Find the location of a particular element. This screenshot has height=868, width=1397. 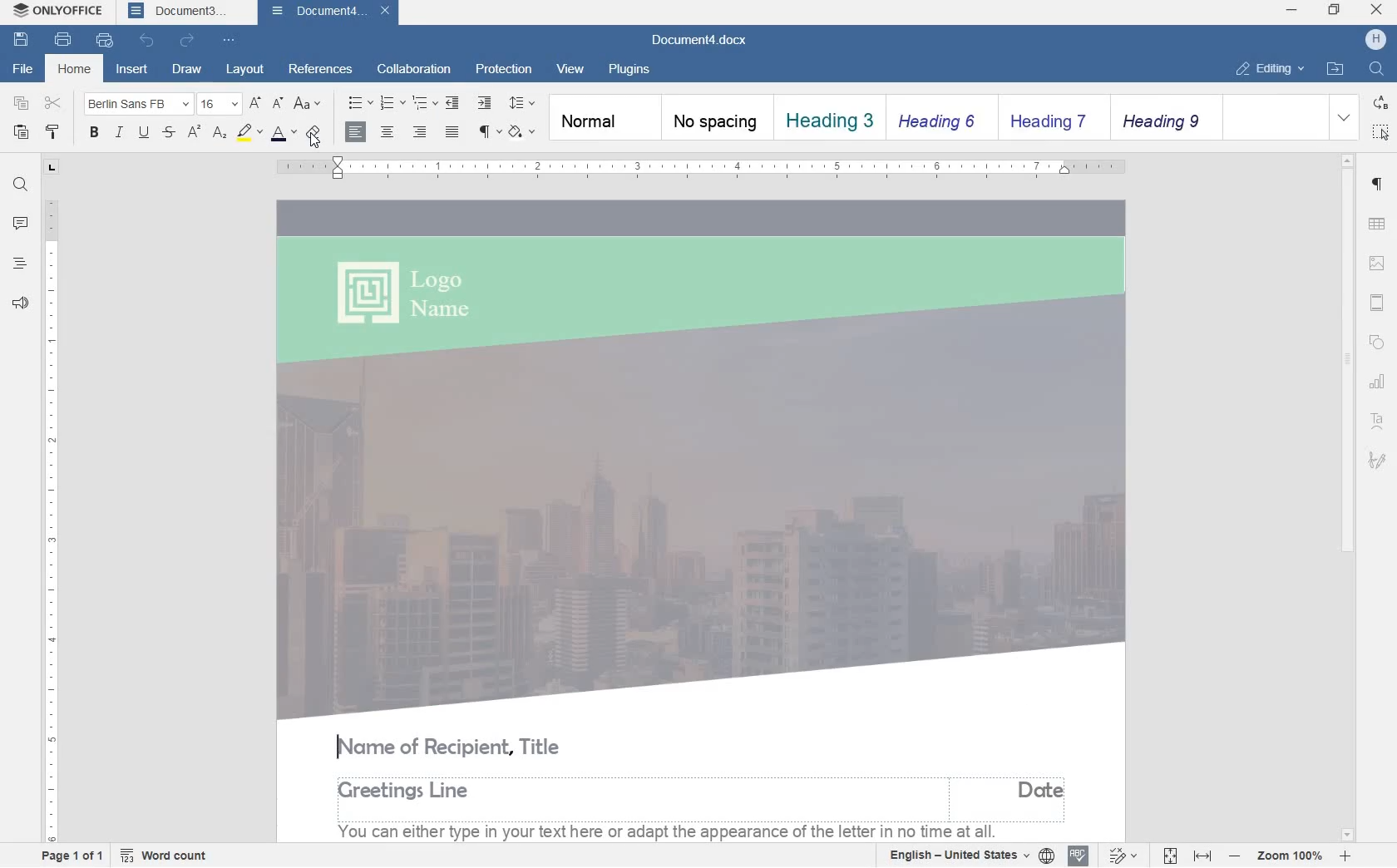

paragraph line spacing is located at coordinates (521, 103).